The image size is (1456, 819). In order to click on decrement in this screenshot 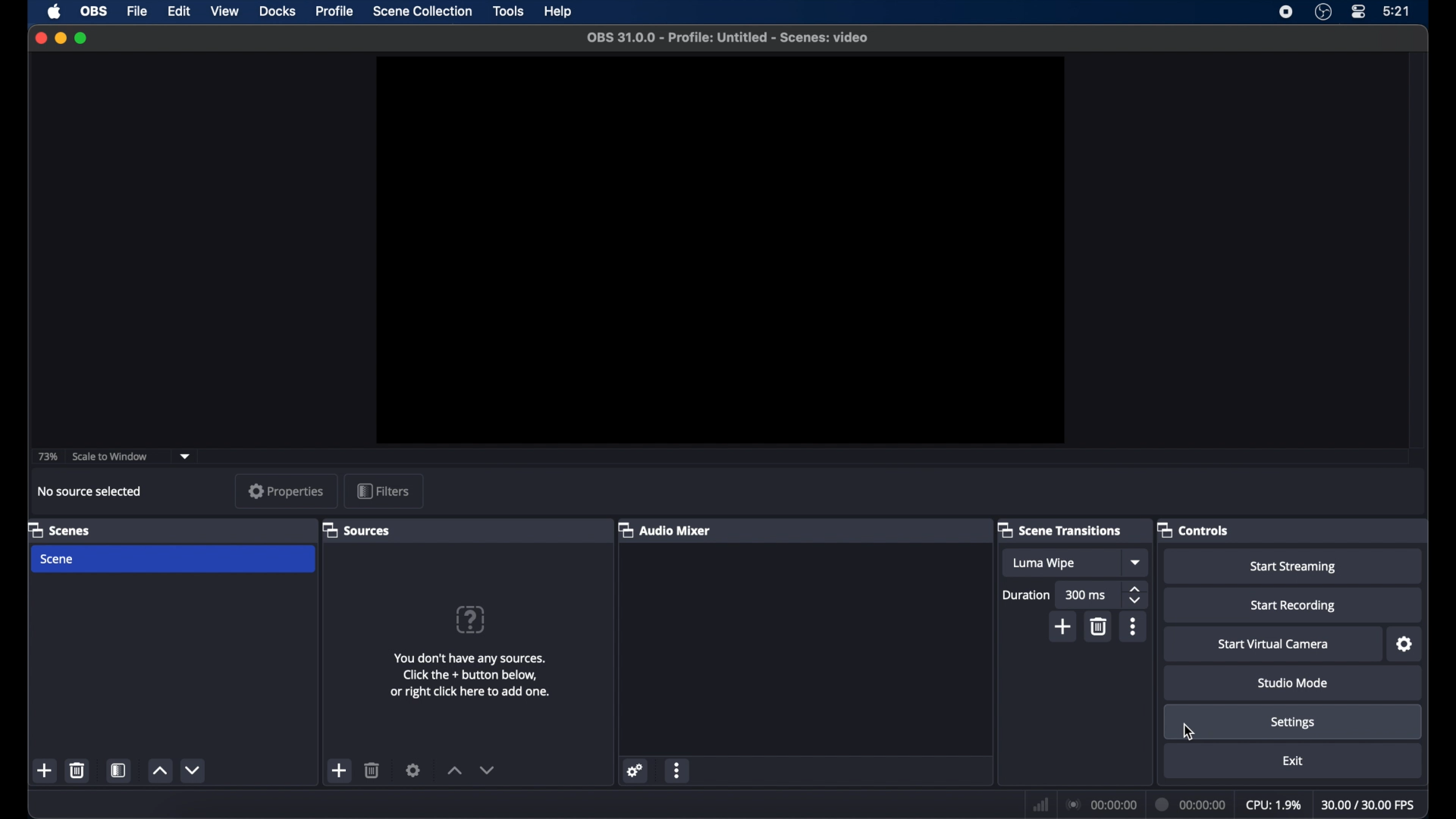, I will do `click(487, 770)`.